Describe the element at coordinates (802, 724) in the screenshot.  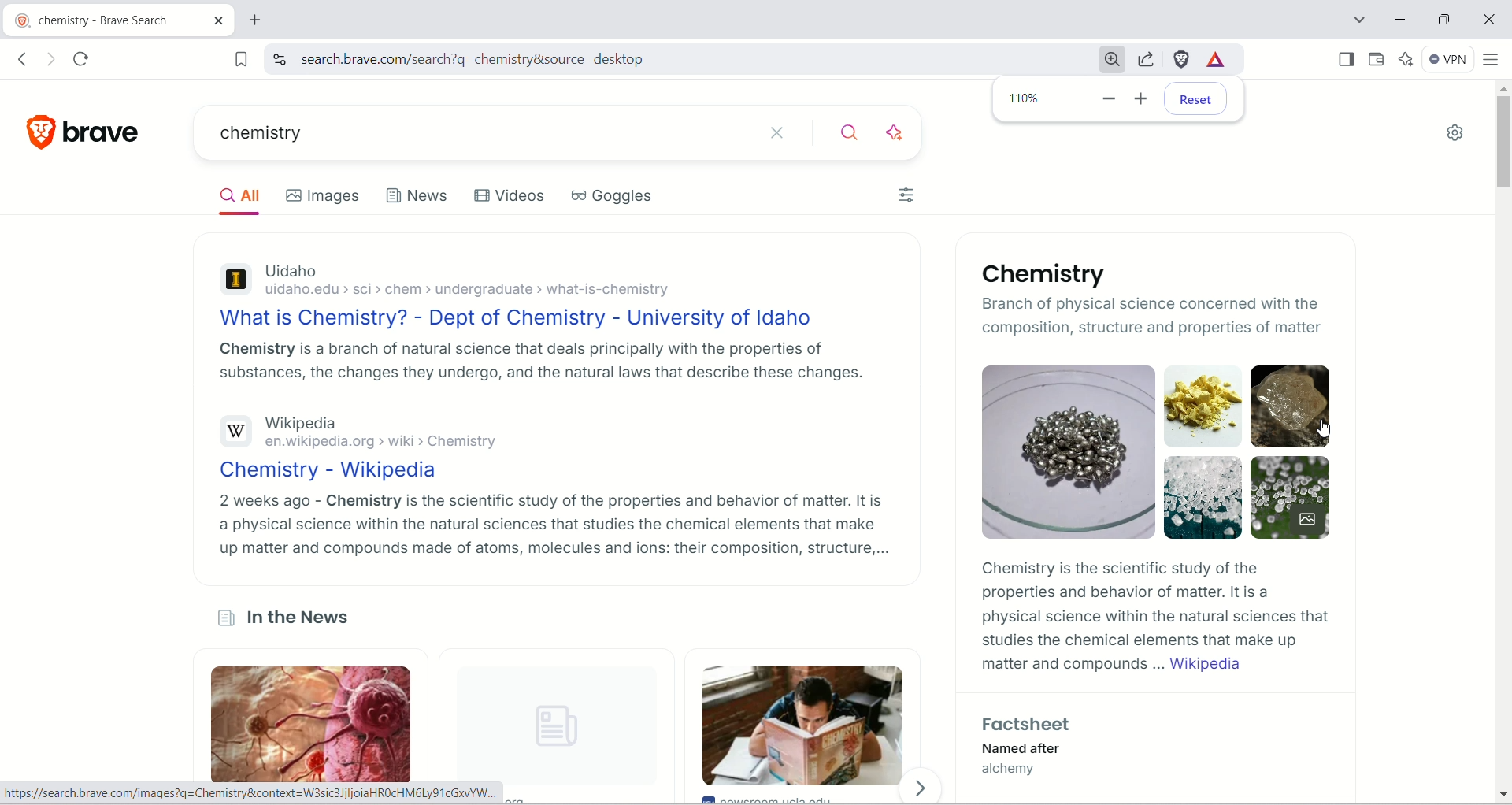
I see `person reading a book image` at that location.